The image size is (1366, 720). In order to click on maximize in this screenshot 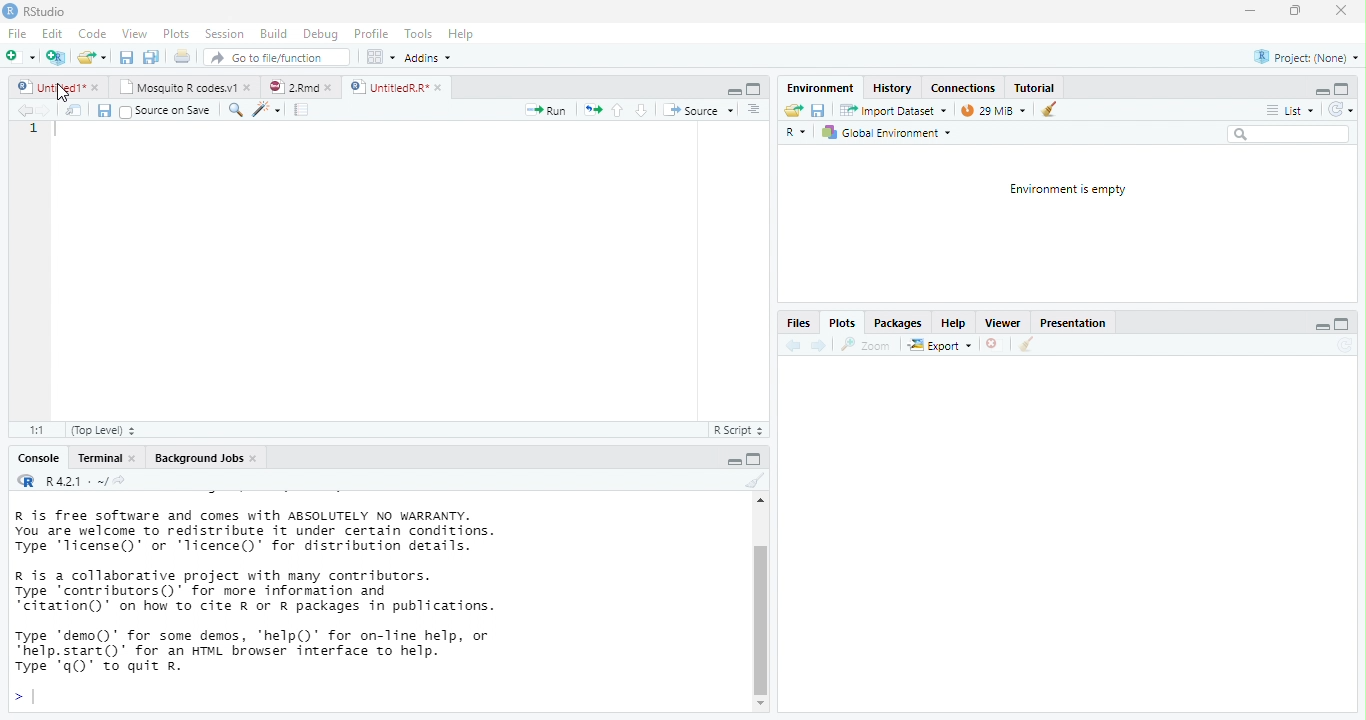, I will do `click(754, 89)`.